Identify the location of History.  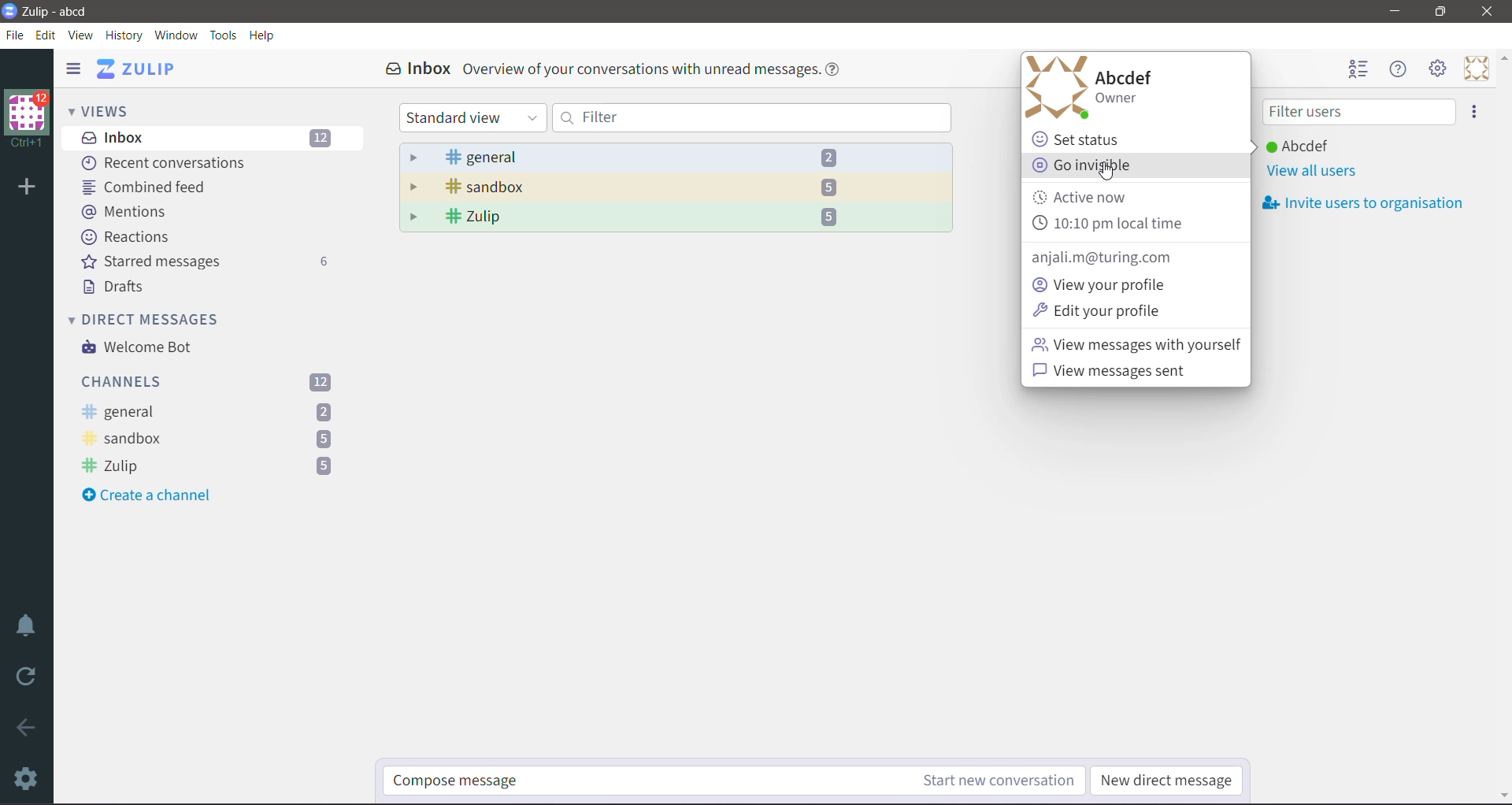
(126, 35).